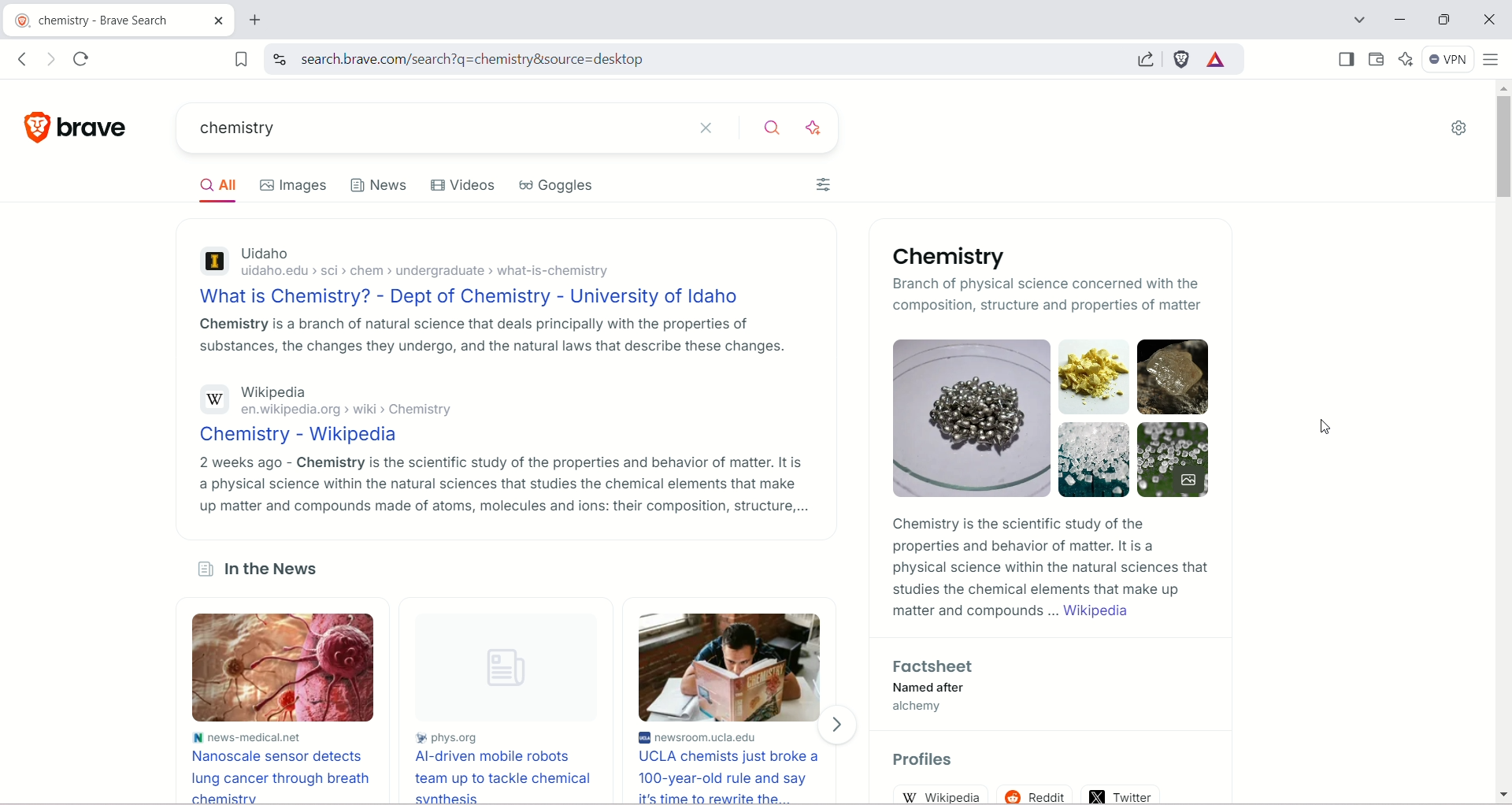 Image resolution: width=1512 pixels, height=805 pixels. Describe the element at coordinates (1447, 61) in the screenshot. I see `VPN` at that location.